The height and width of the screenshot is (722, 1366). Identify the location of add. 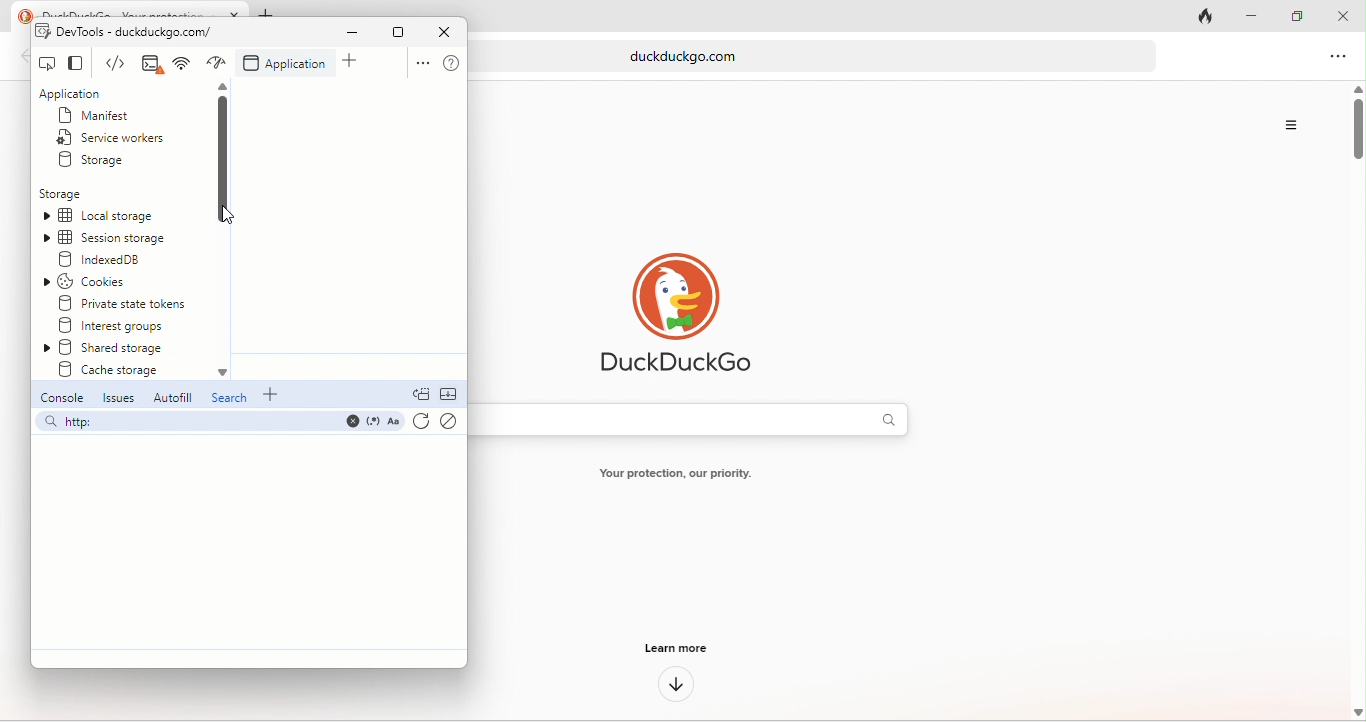
(352, 63).